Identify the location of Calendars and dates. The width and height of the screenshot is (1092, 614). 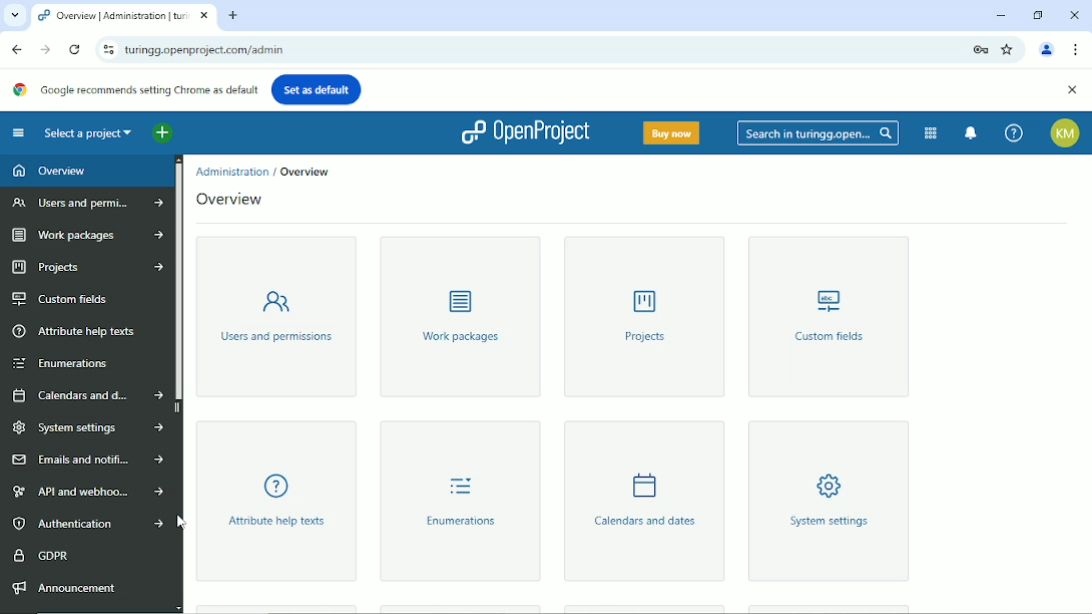
(87, 393).